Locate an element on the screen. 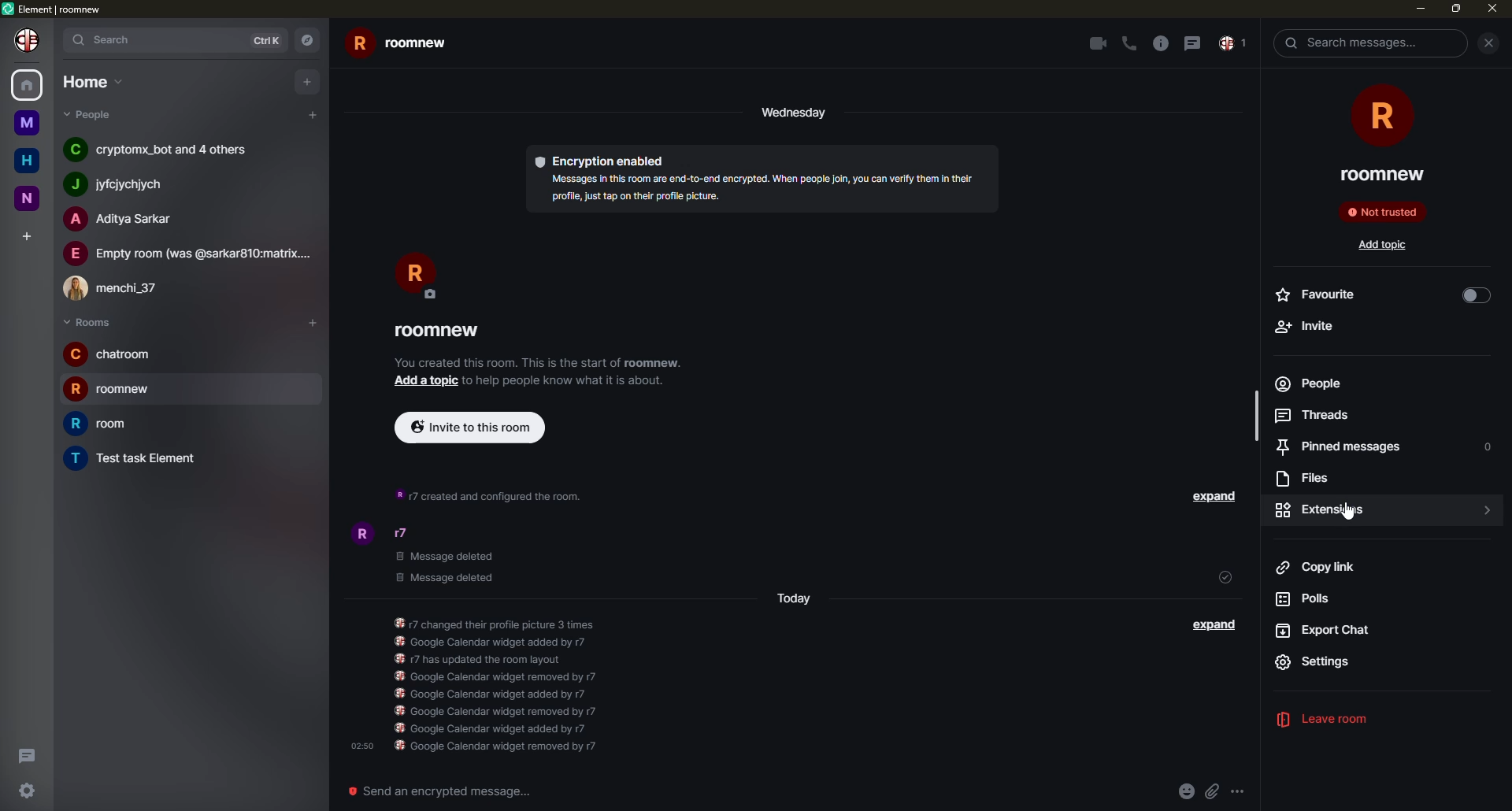 This screenshot has width=1512, height=811. info is located at coordinates (502, 685).